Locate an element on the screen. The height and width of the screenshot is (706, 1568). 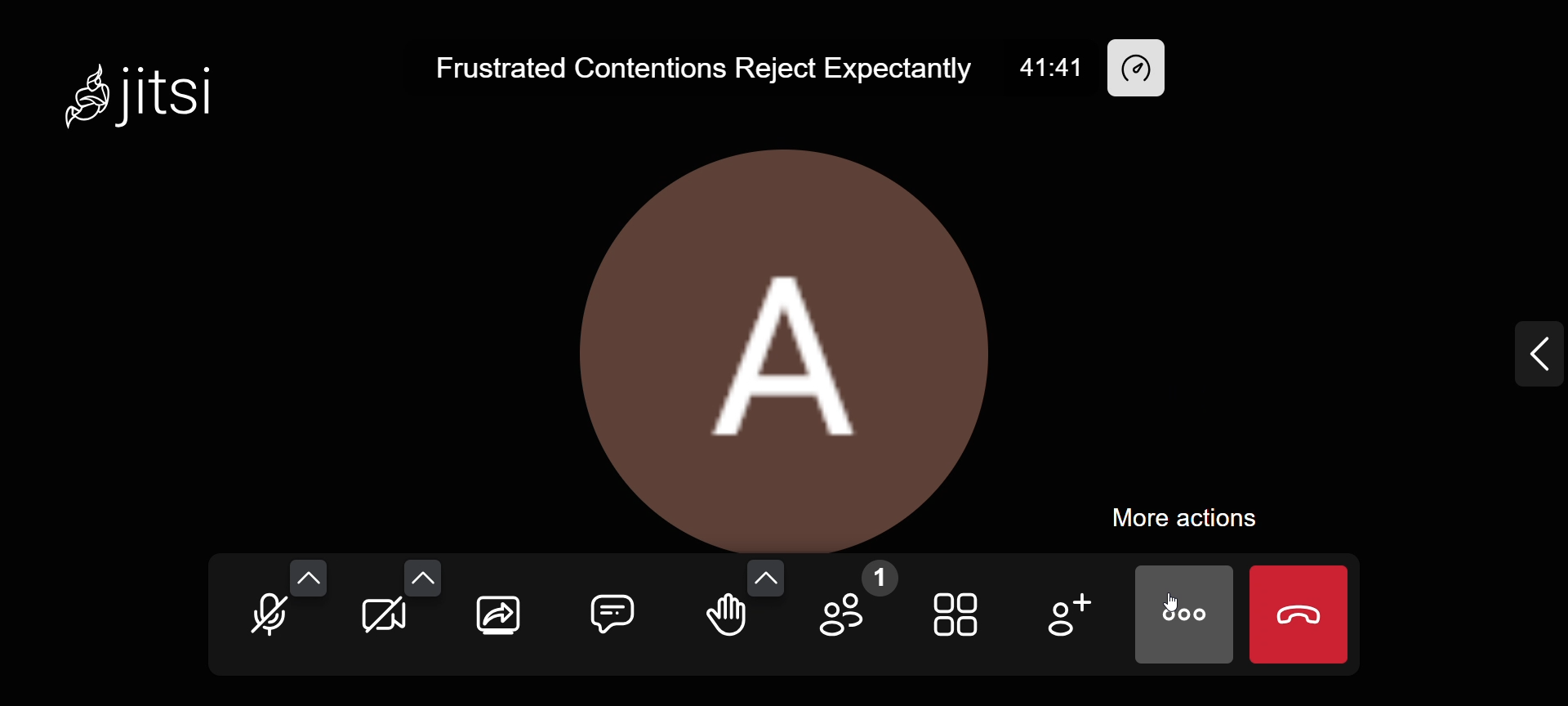
performance setting is located at coordinates (1143, 68).